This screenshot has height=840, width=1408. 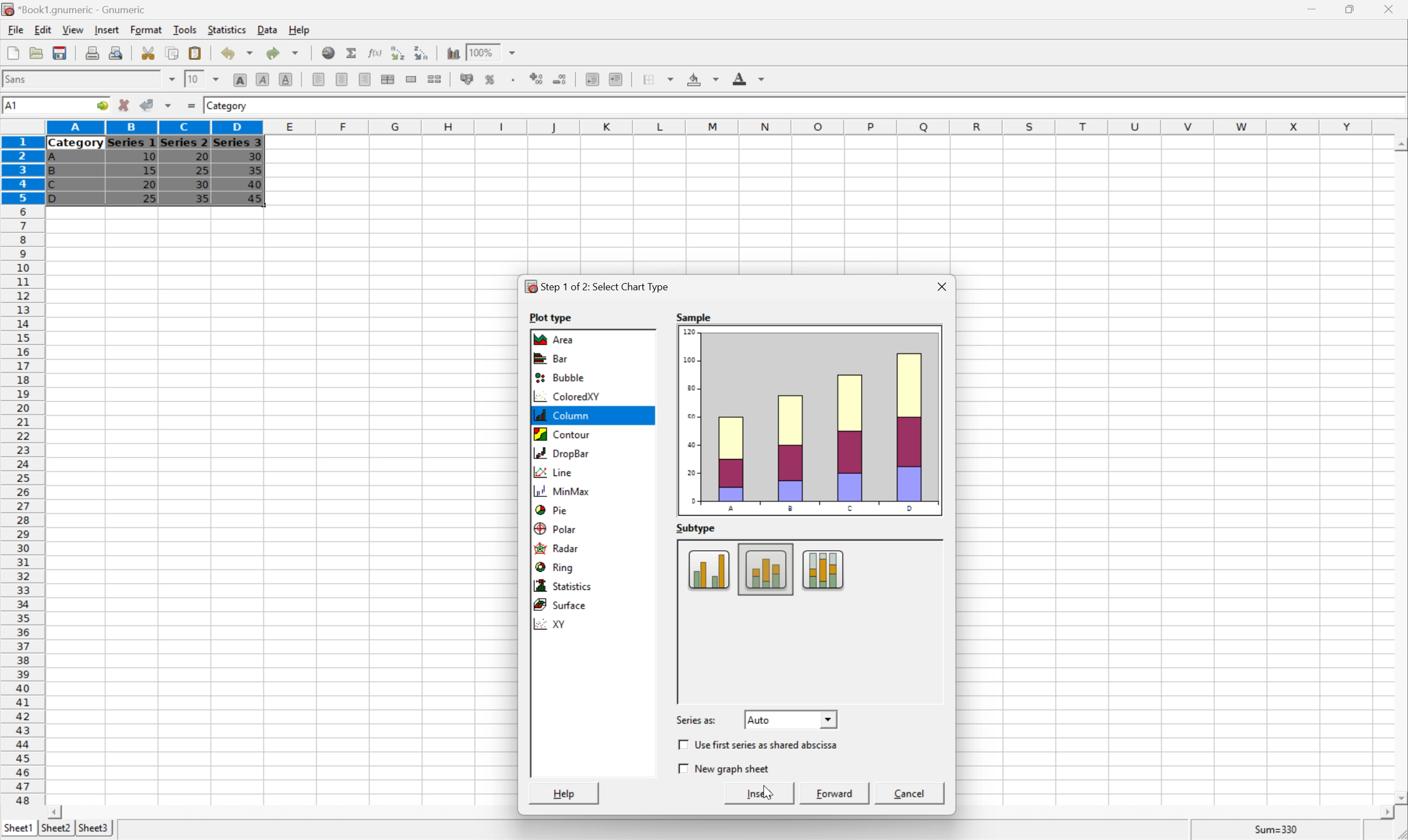 What do you see at coordinates (241, 78) in the screenshot?
I see `Bold` at bounding box center [241, 78].